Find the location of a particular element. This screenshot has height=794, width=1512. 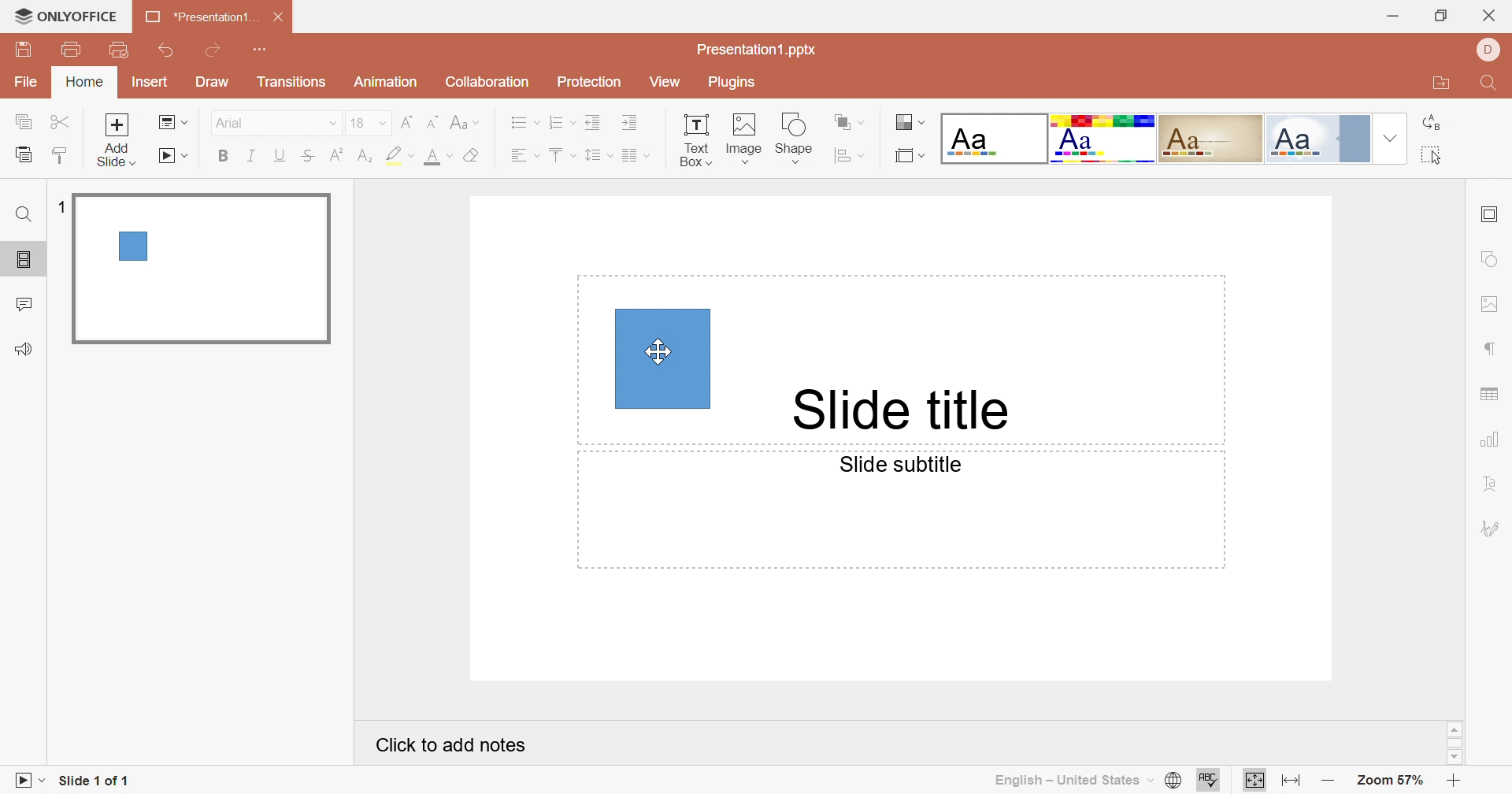

Decrease Indent is located at coordinates (595, 122).